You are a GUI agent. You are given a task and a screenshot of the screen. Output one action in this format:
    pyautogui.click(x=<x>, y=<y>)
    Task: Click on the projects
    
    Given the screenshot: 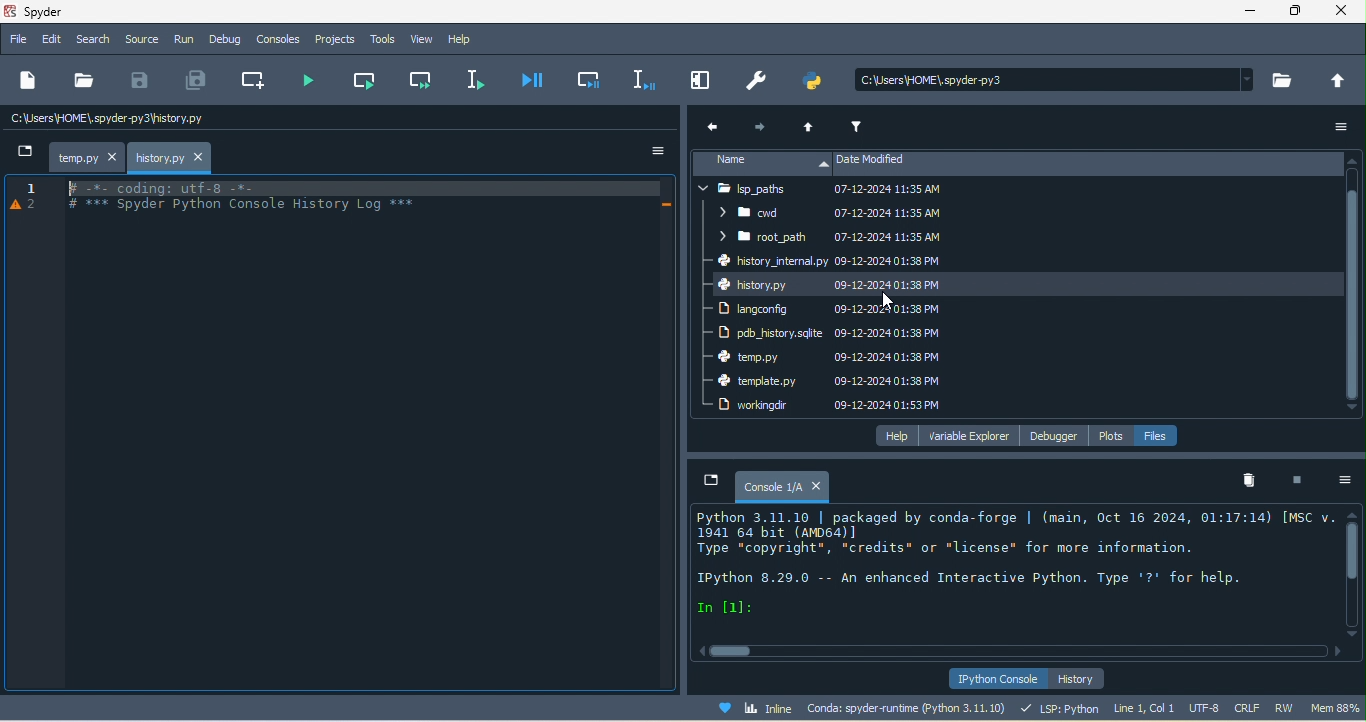 What is the action you would take?
    pyautogui.click(x=333, y=40)
    